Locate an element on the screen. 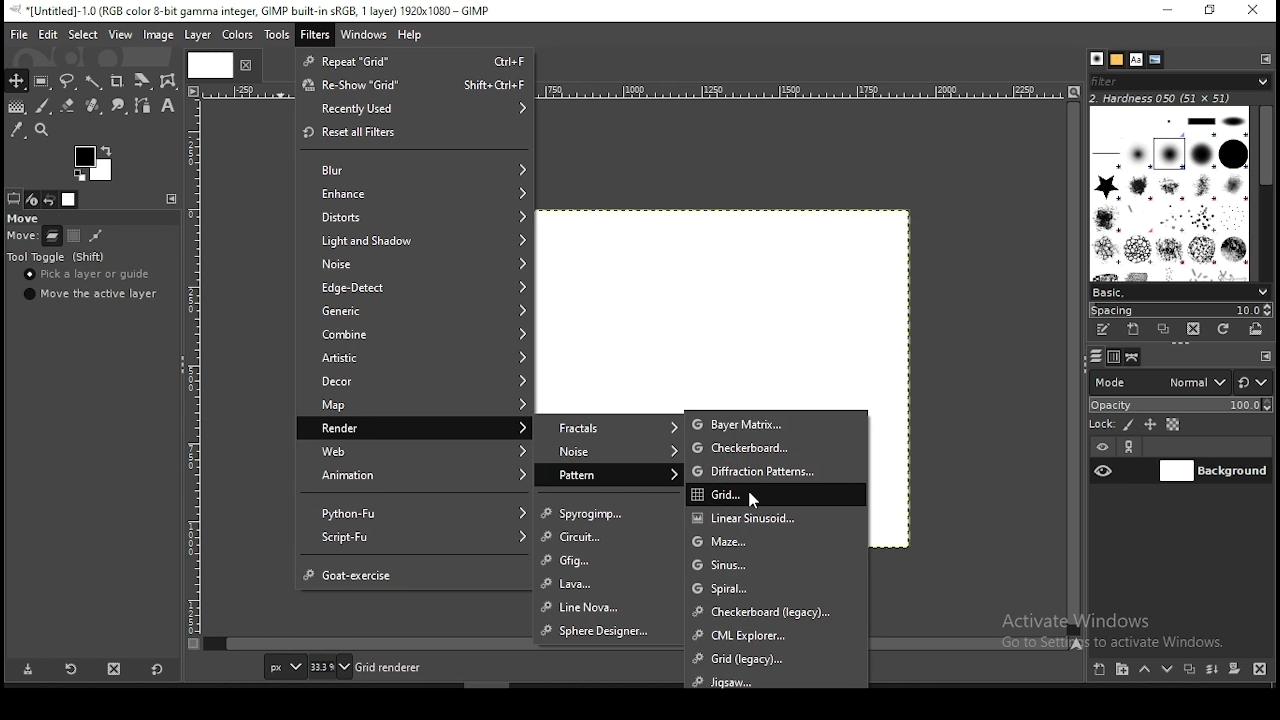 The image size is (1280, 720). background (19.3mb) is located at coordinates (410, 666).